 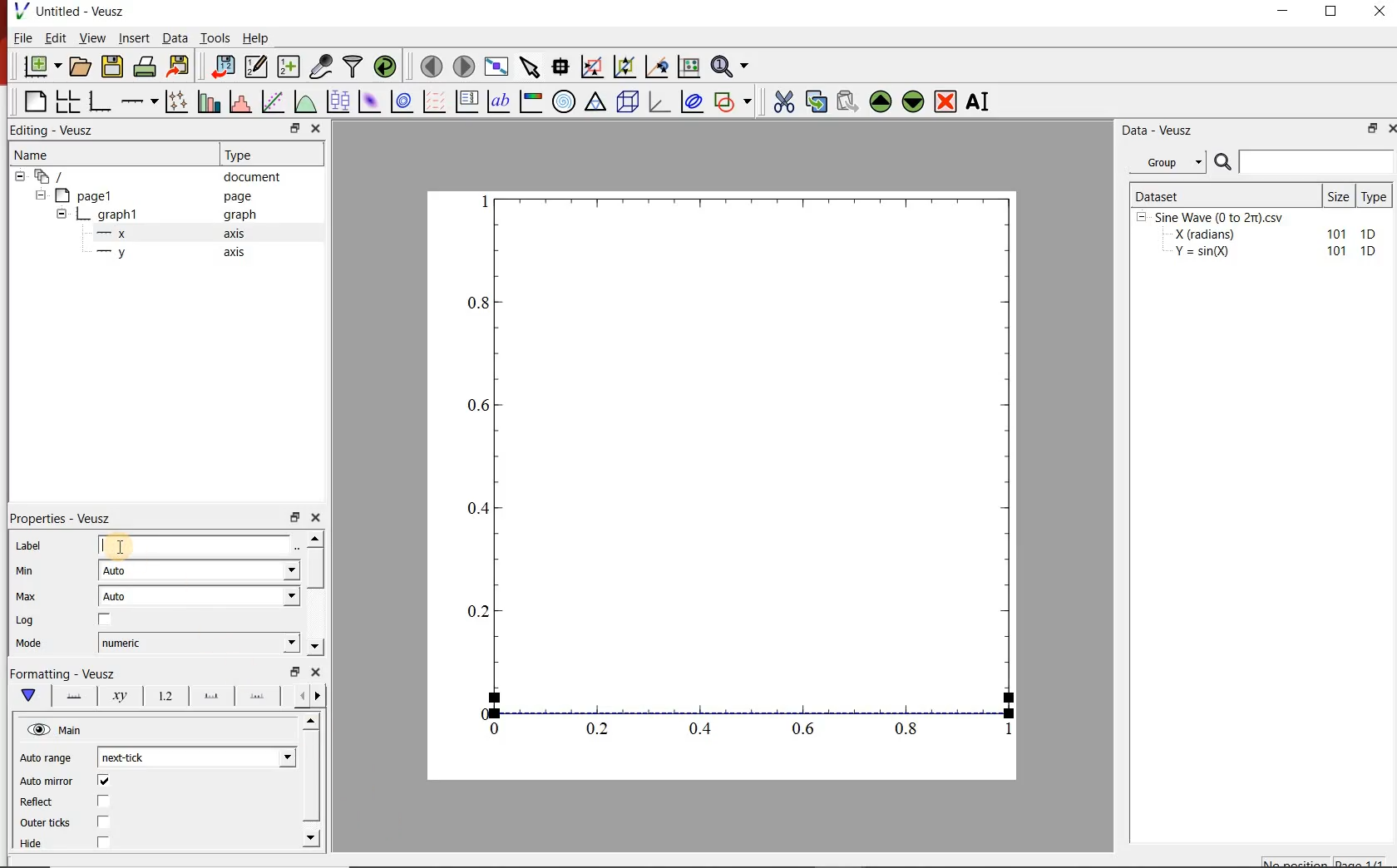 What do you see at coordinates (199, 644) in the screenshot?
I see `Numeric` at bounding box center [199, 644].